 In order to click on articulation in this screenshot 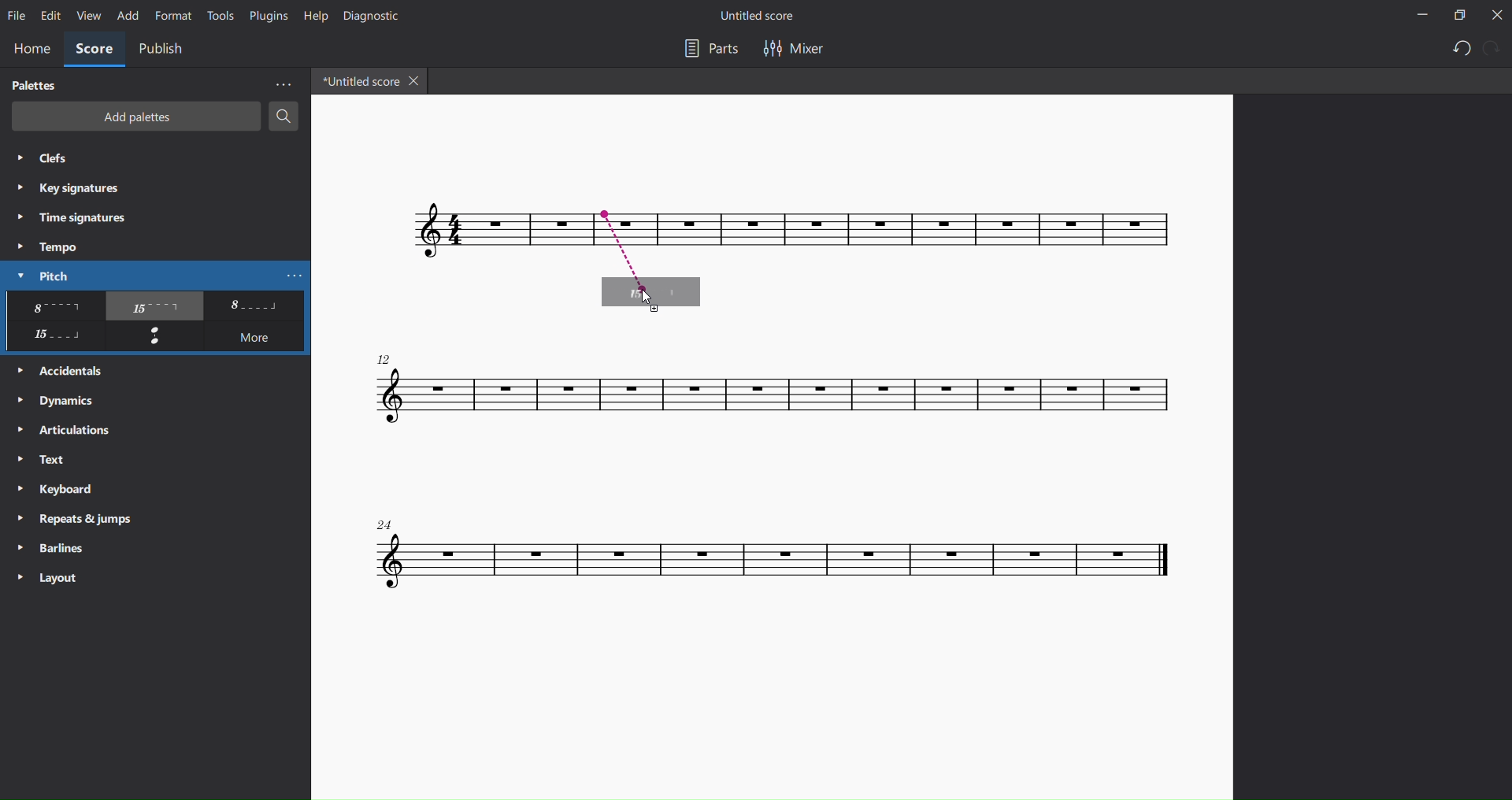, I will do `click(70, 431)`.